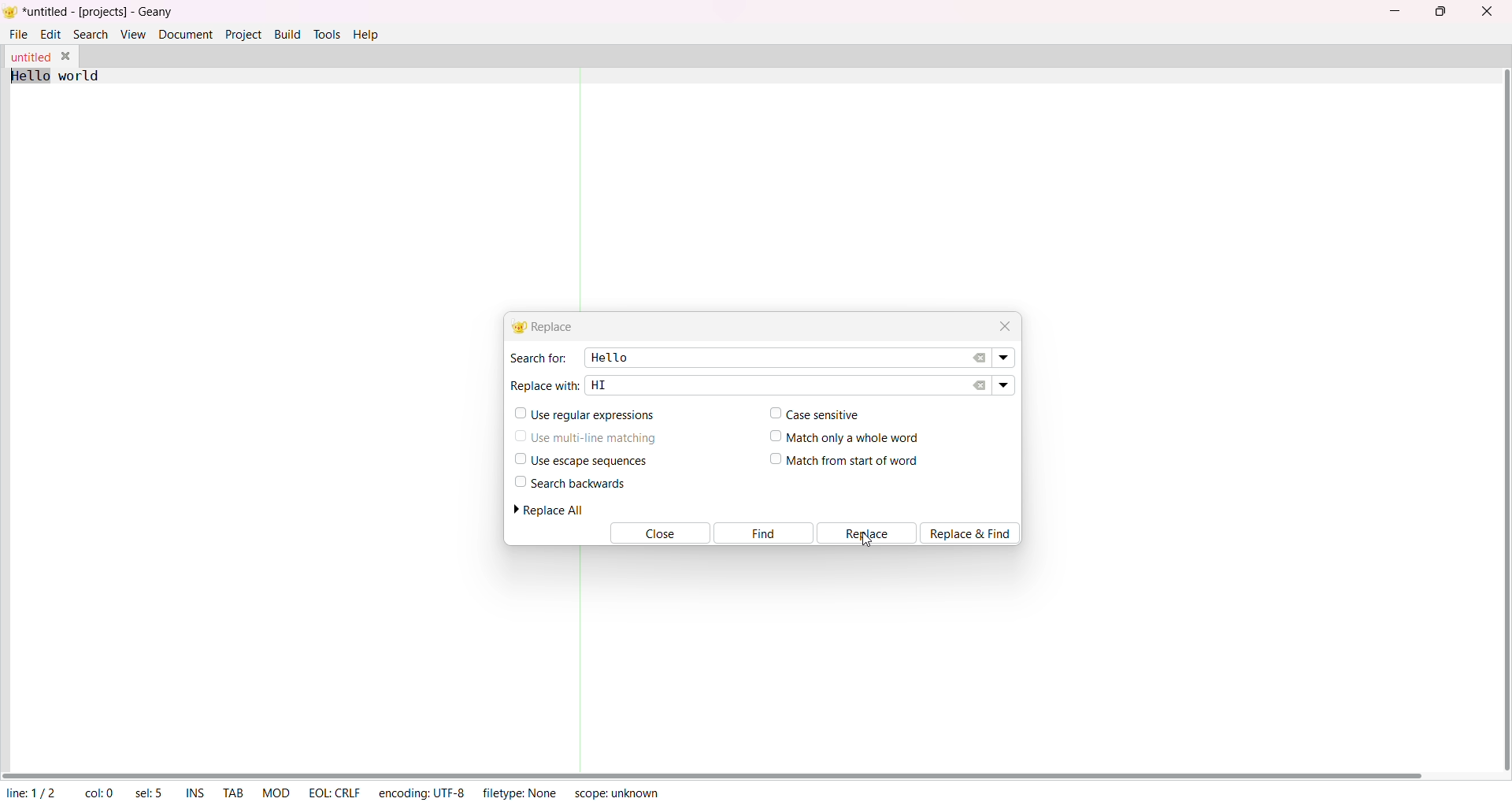 Image resolution: width=1512 pixels, height=802 pixels. What do you see at coordinates (69, 56) in the screenshot?
I see `close tab` at bounding box center [69, 56].